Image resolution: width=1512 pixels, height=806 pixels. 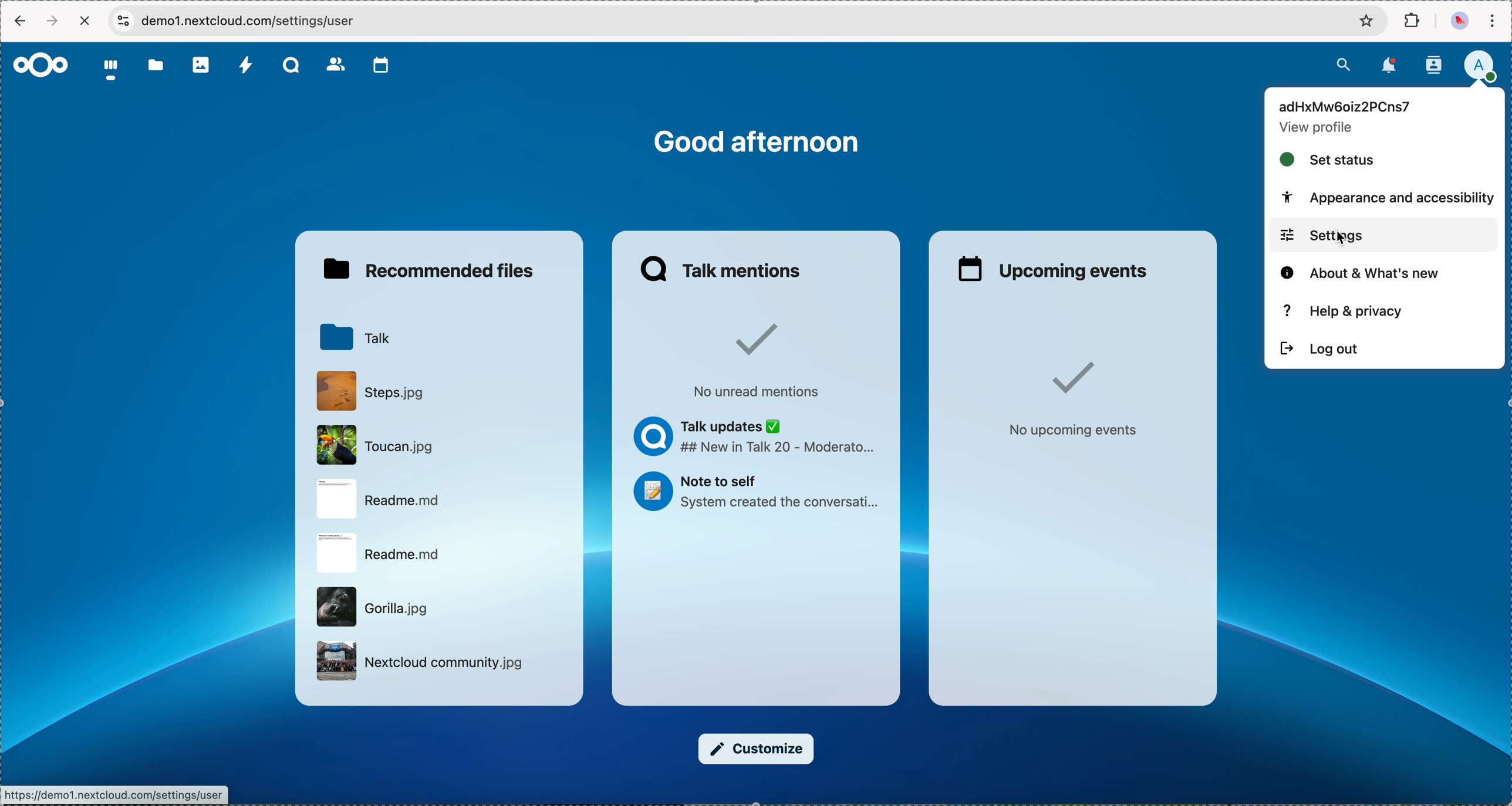 What do you see at coordinates (376, 500) in the screenshot?
I see `file` at bounding box center [376, 500].